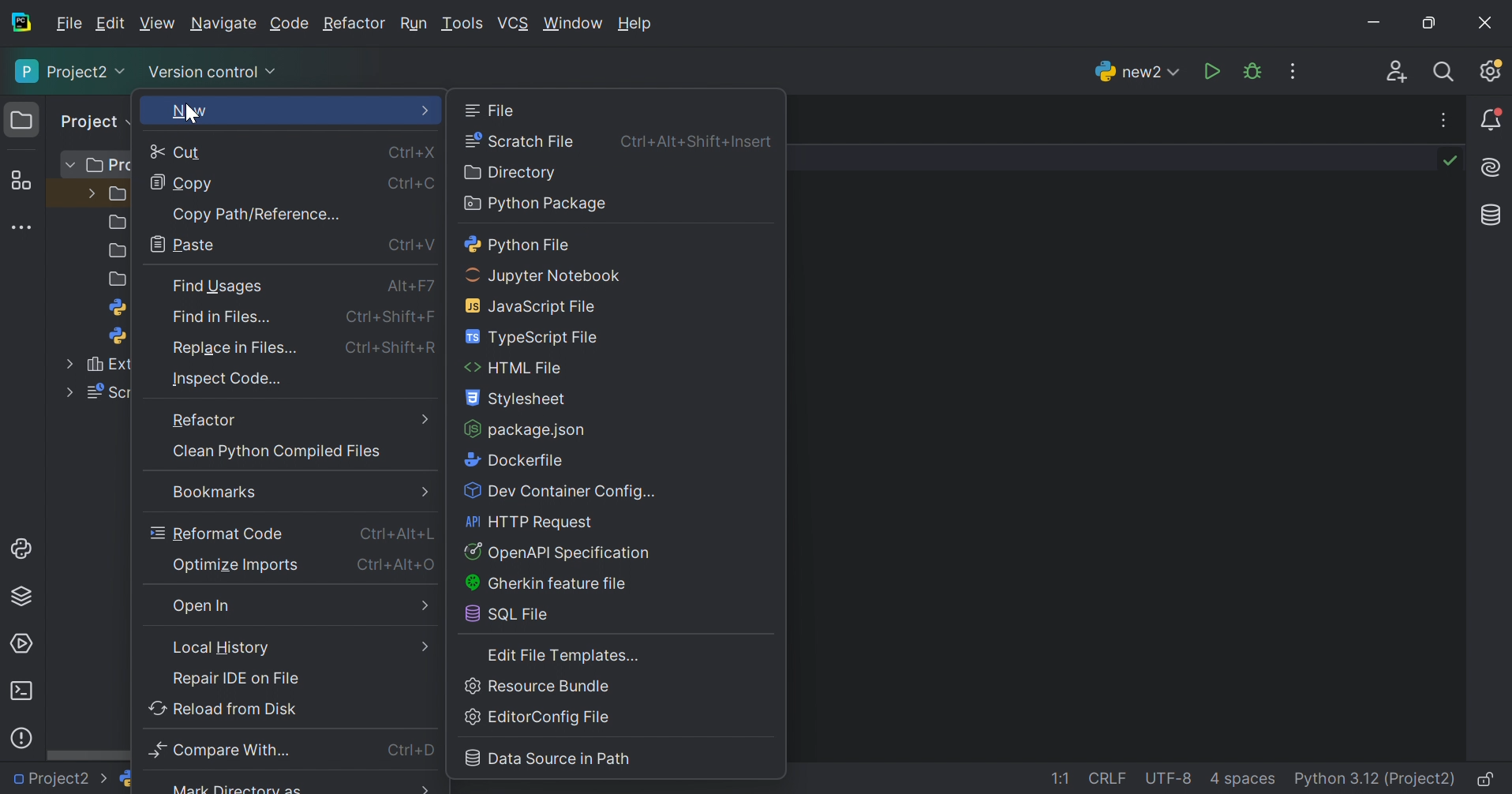  Describe the element at coordinates (518, 400) in the screenshot. I see `Stylesheet` at that location.